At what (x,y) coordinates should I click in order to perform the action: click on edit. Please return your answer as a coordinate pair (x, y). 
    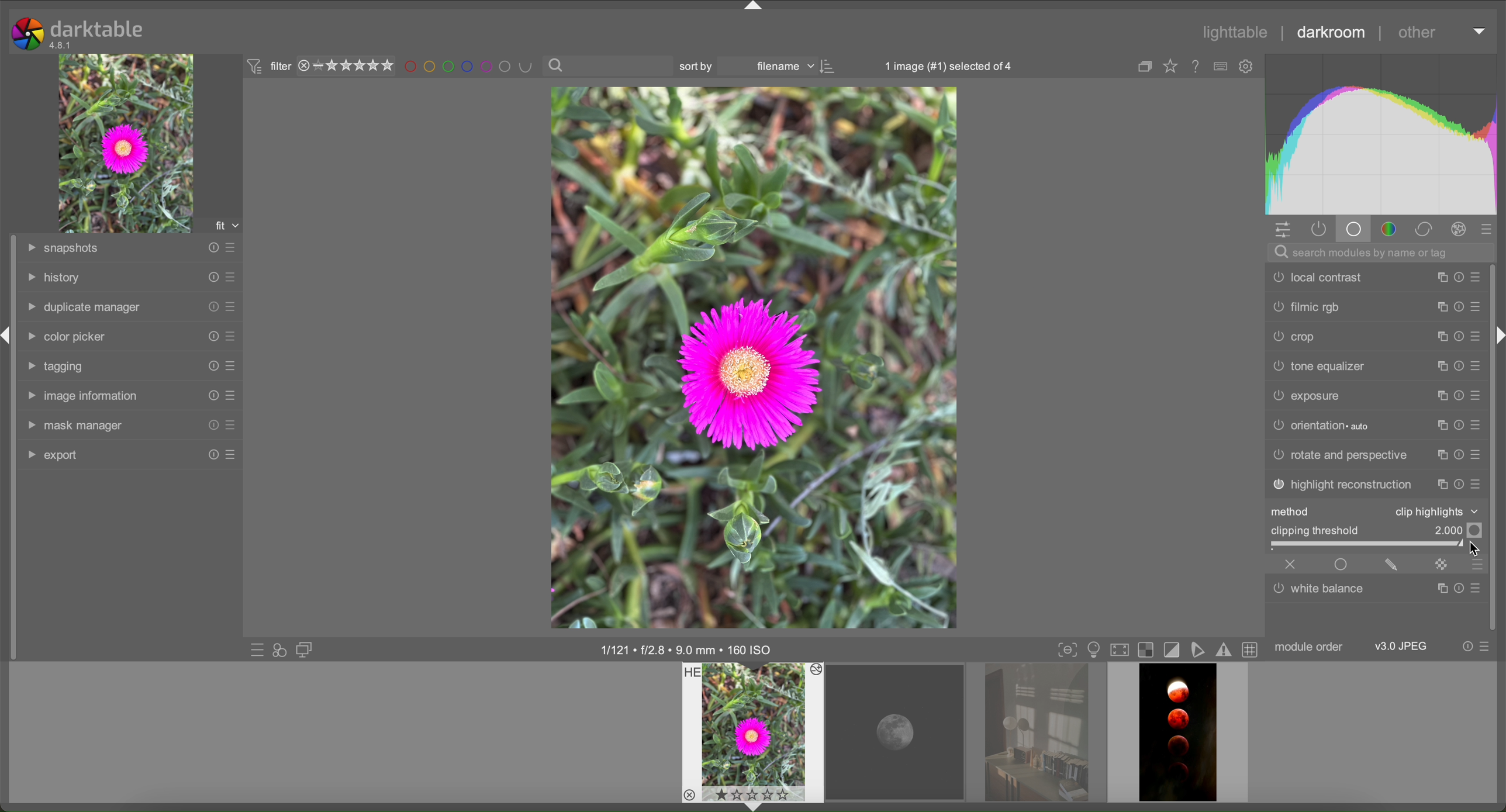
    Looking at the image, I should click on (1391, 564).